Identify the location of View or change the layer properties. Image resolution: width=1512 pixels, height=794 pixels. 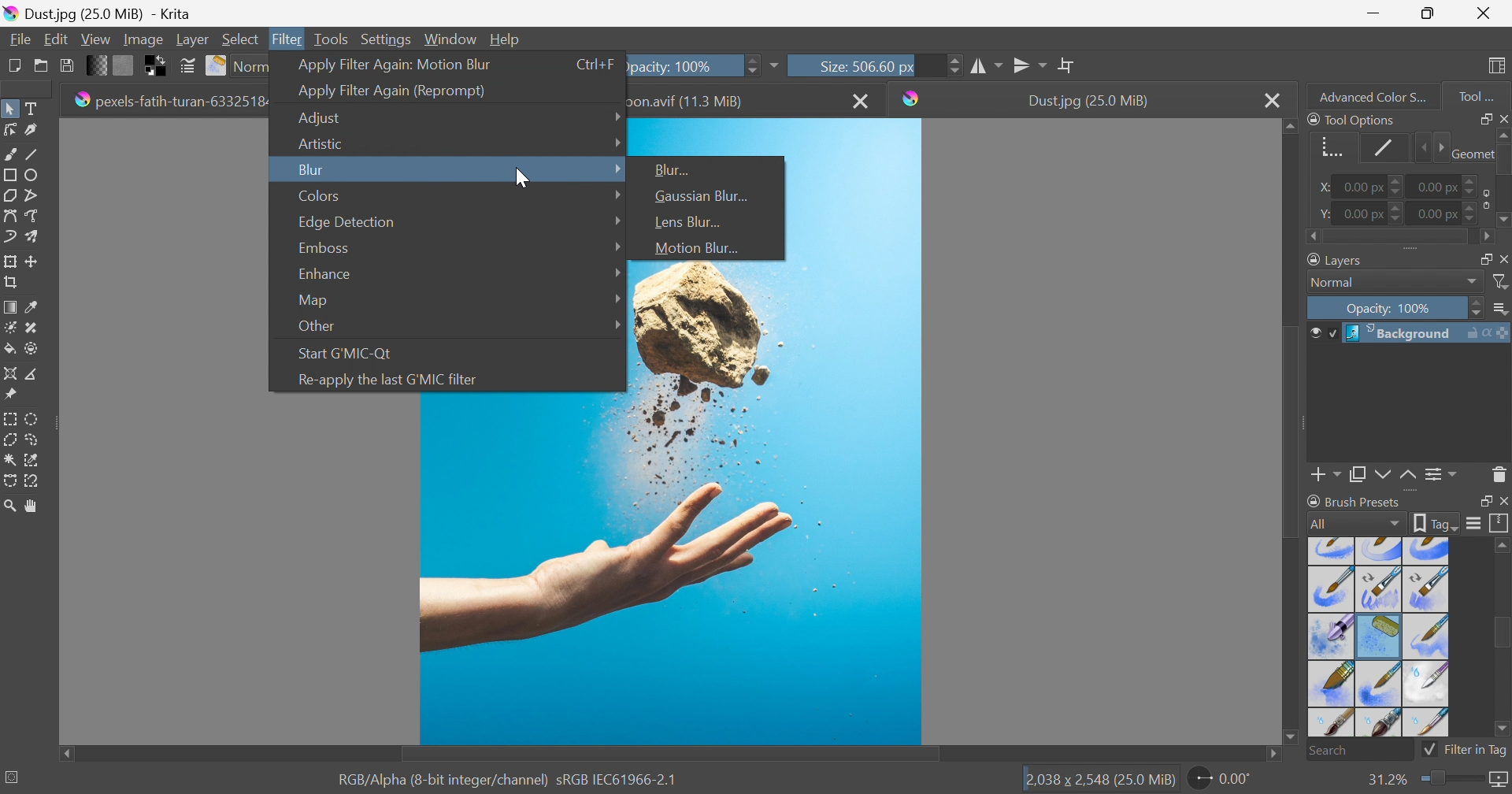
(1437, 475).